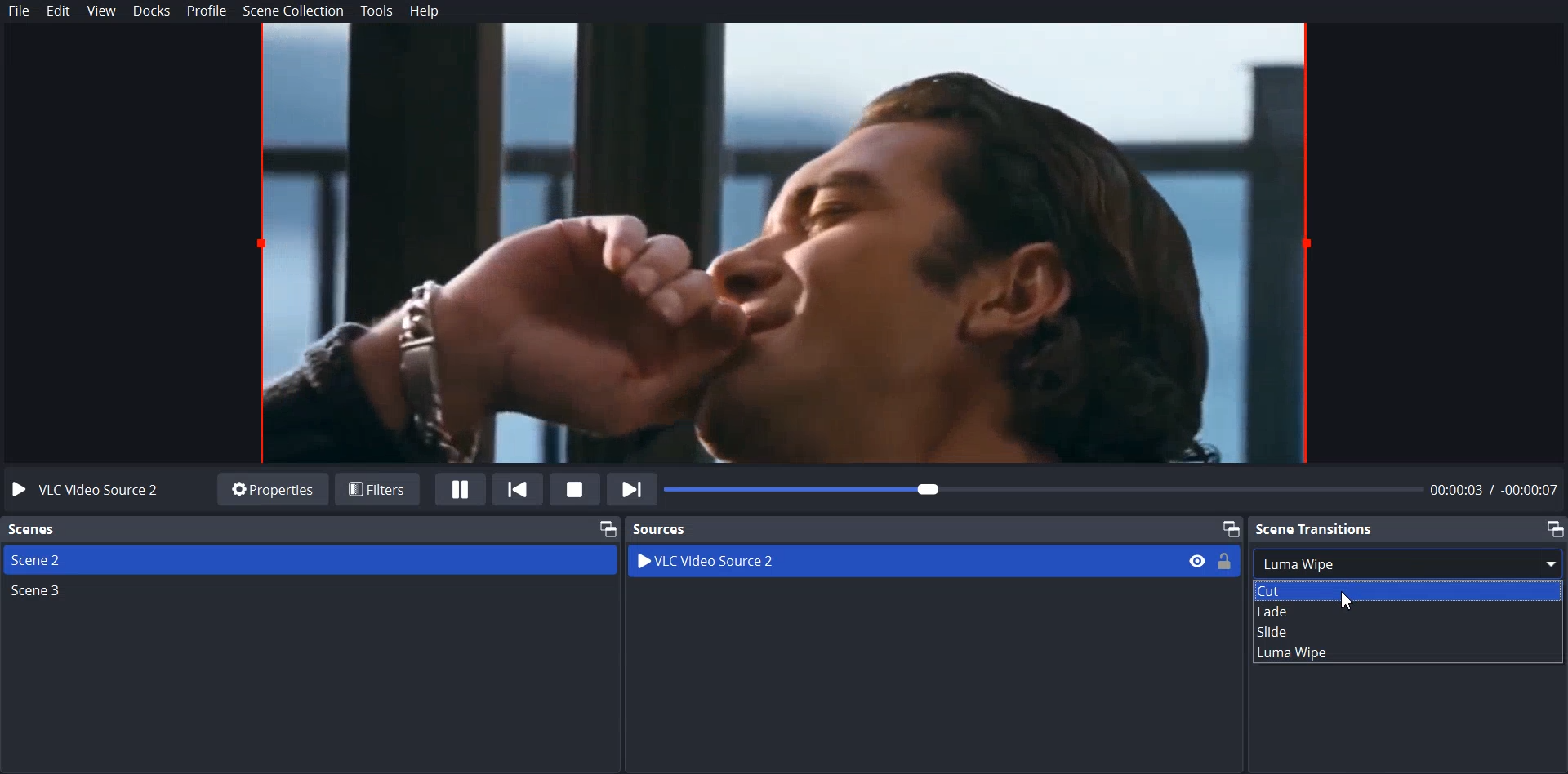 The image size is (1568, 774). I want to click on Filters, so click(378, 487).